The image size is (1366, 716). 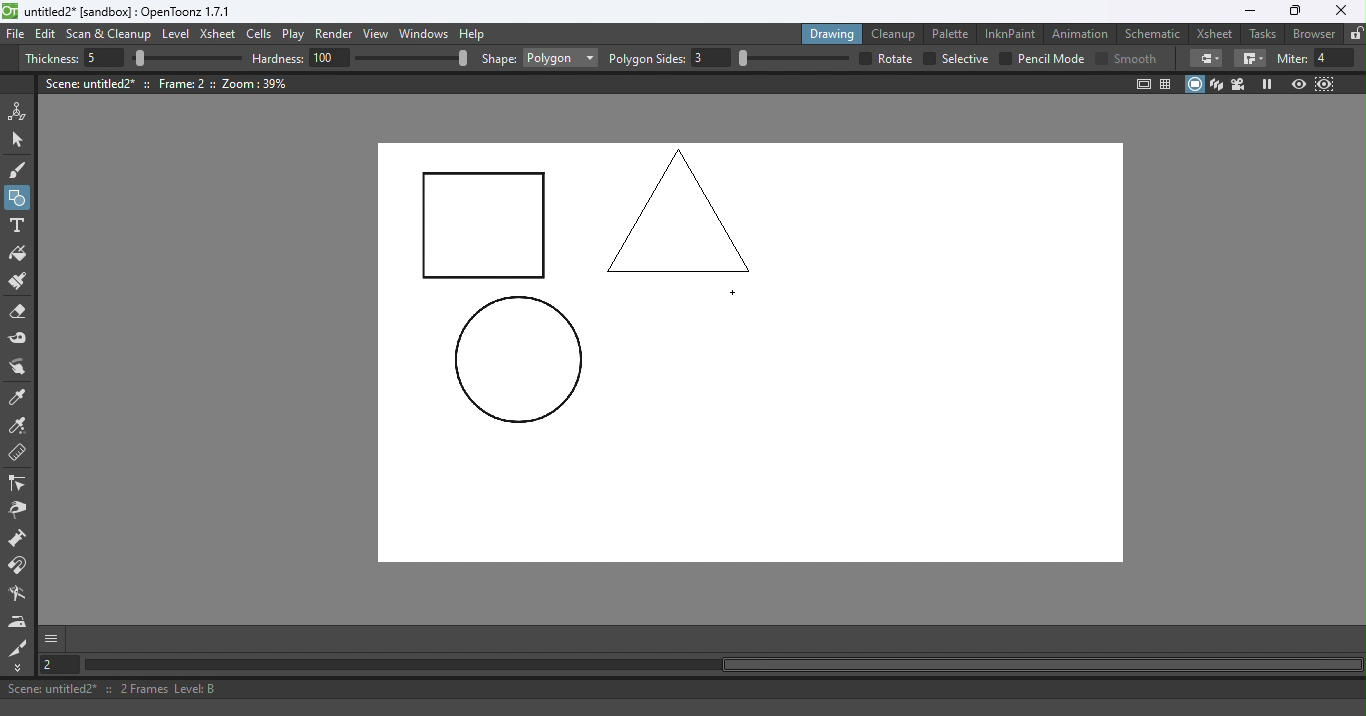 What do you see at coordinates (1142, 84) in the screenshot?
I see `Safe area` at bounding box center [1142, 84].